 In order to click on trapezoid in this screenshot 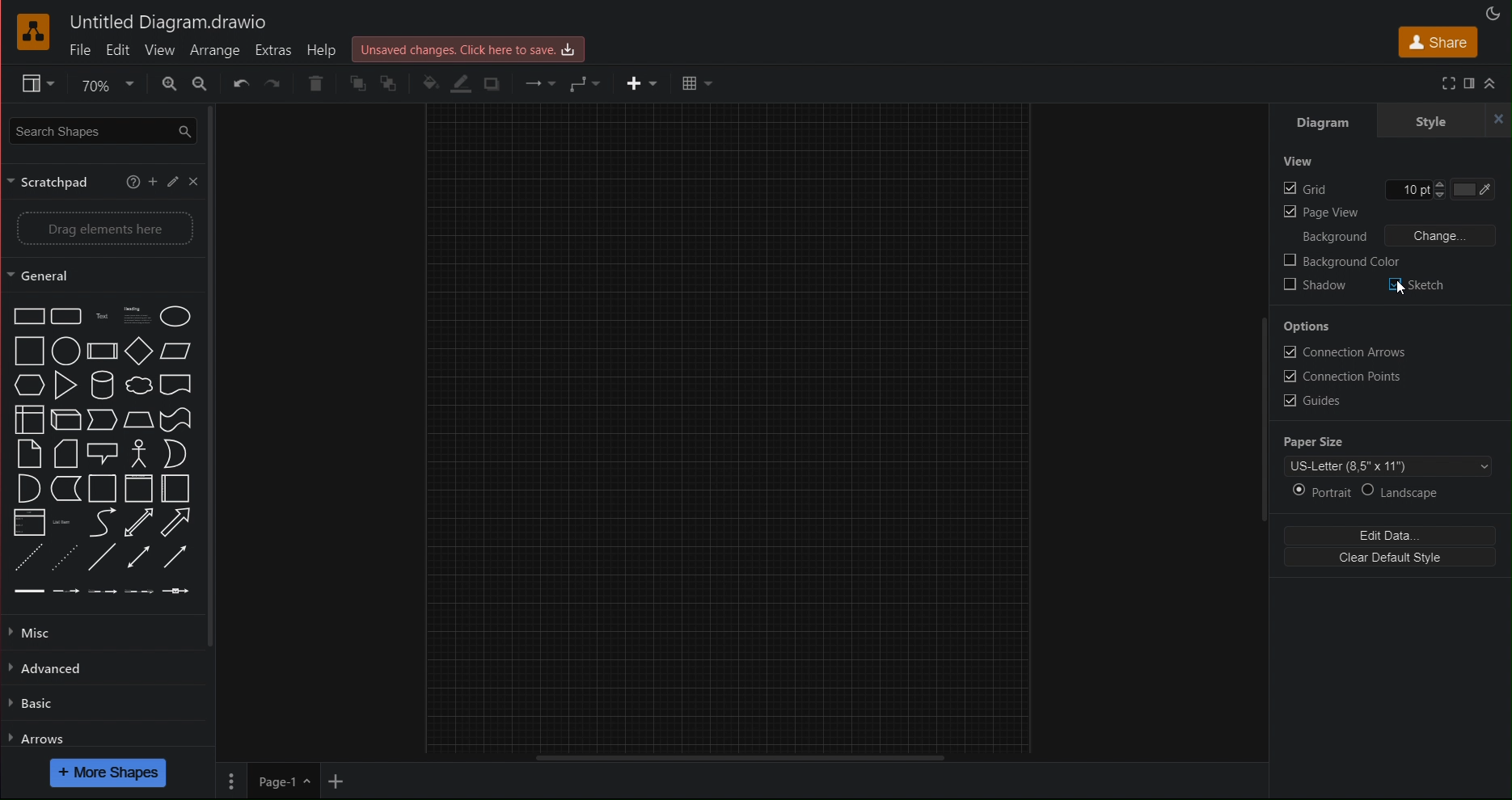, I will do `click(138, 420)`.